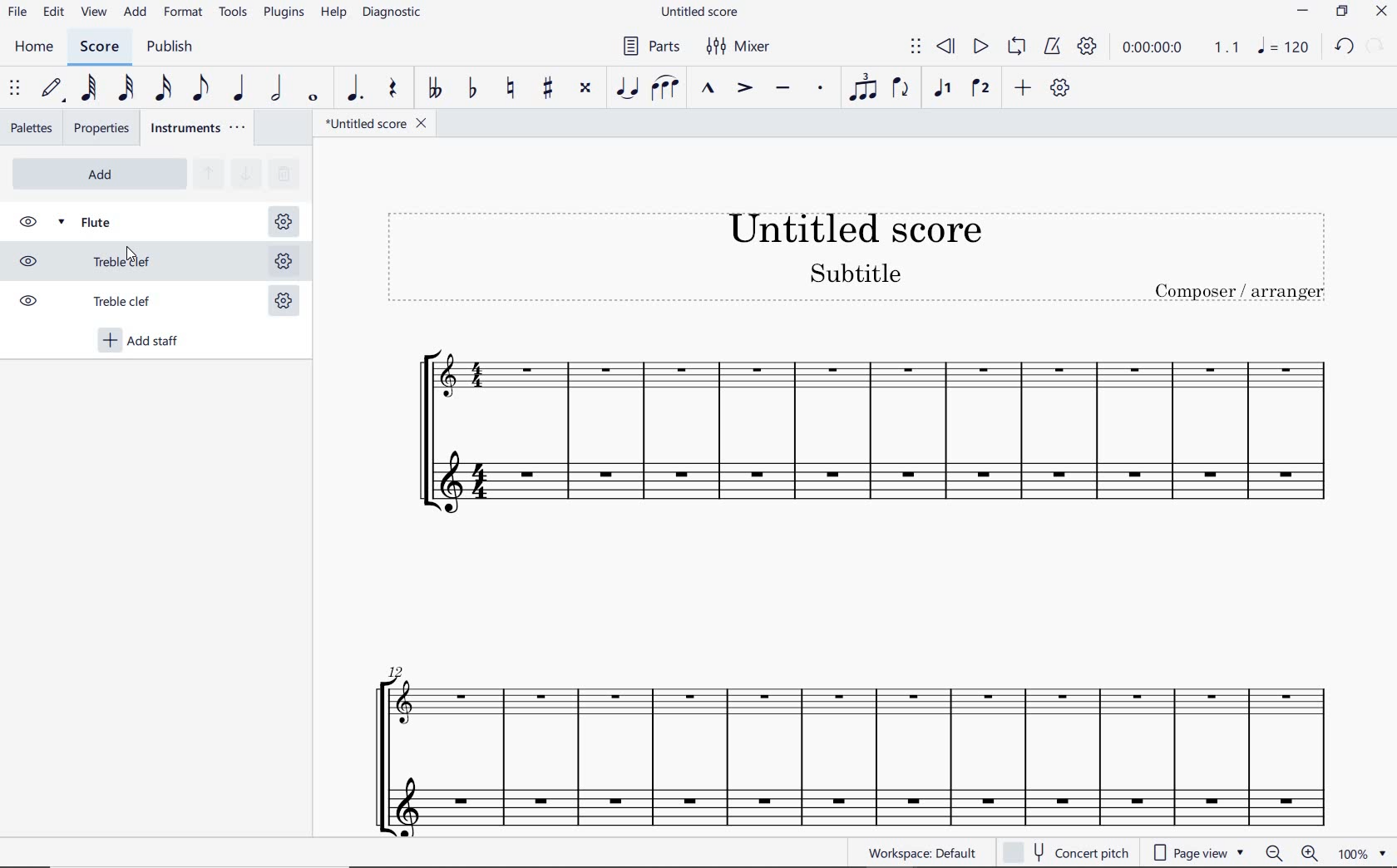  Describe the element at coordinates (100, 47) in the screenshot. I see `score` at that location.